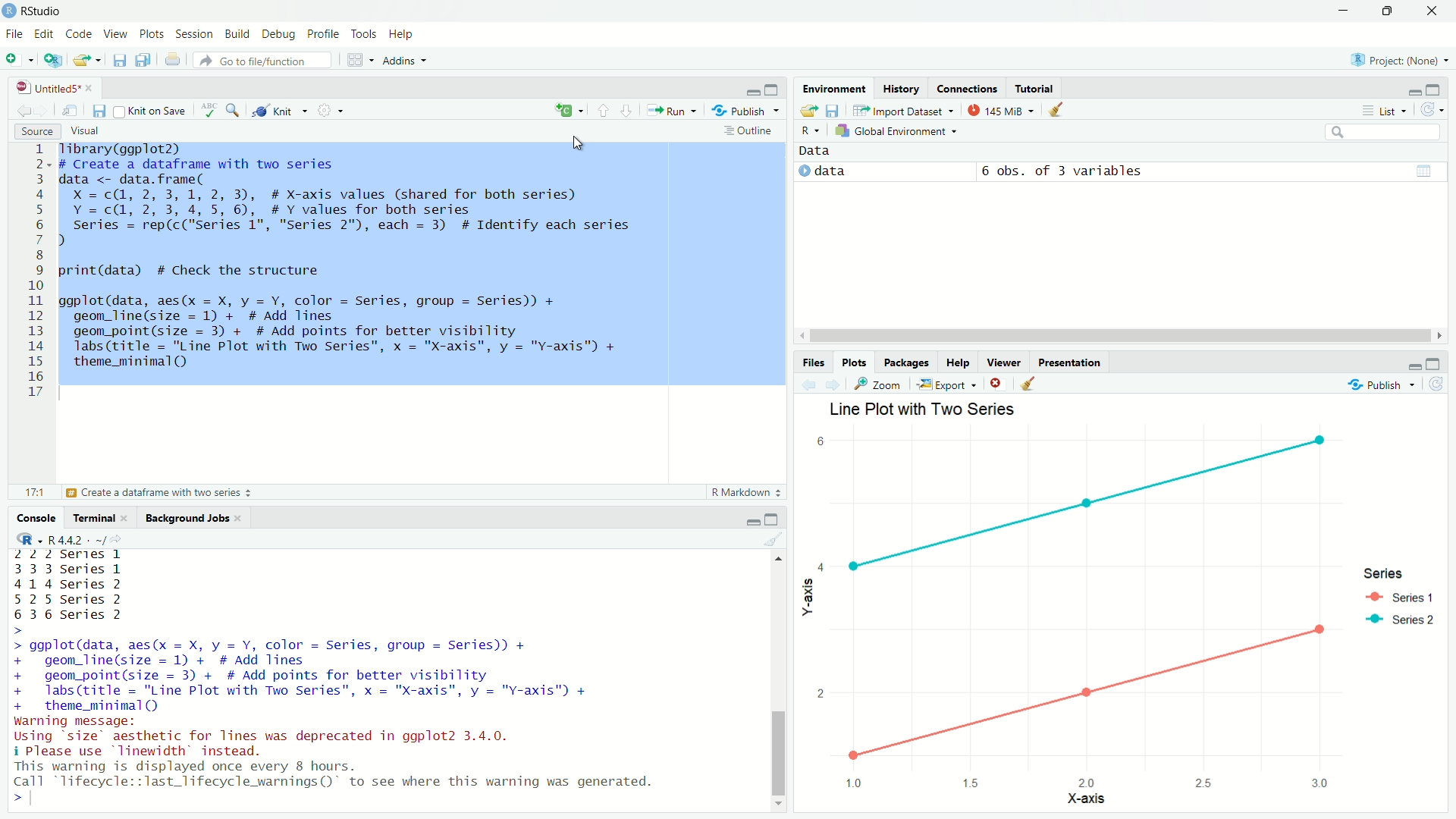  I want to click on Prsentation, so click(1075, 362).